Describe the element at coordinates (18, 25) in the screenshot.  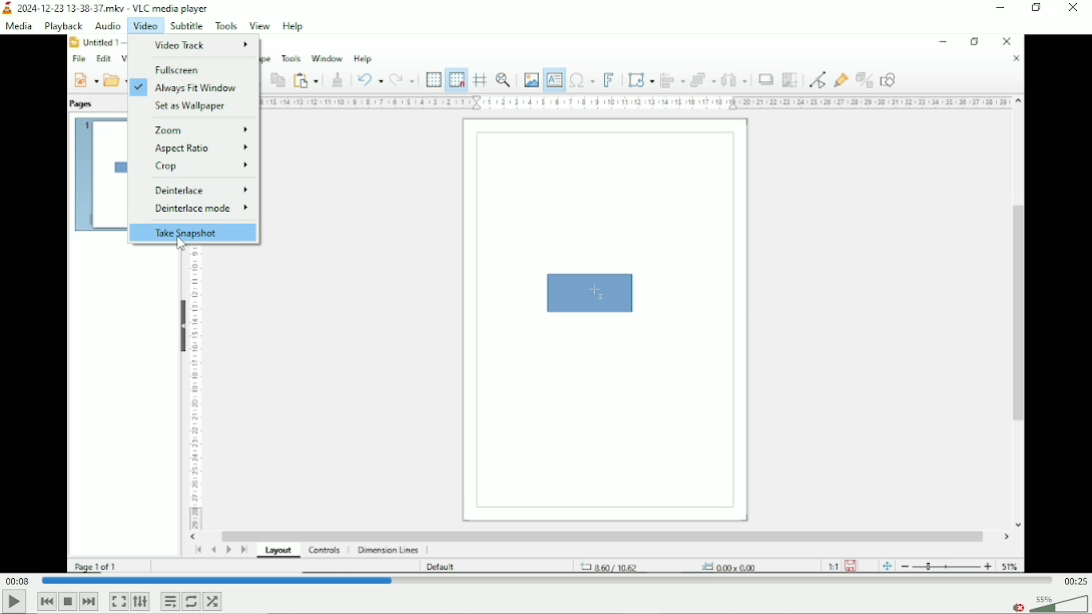
I see `Media` at that location.